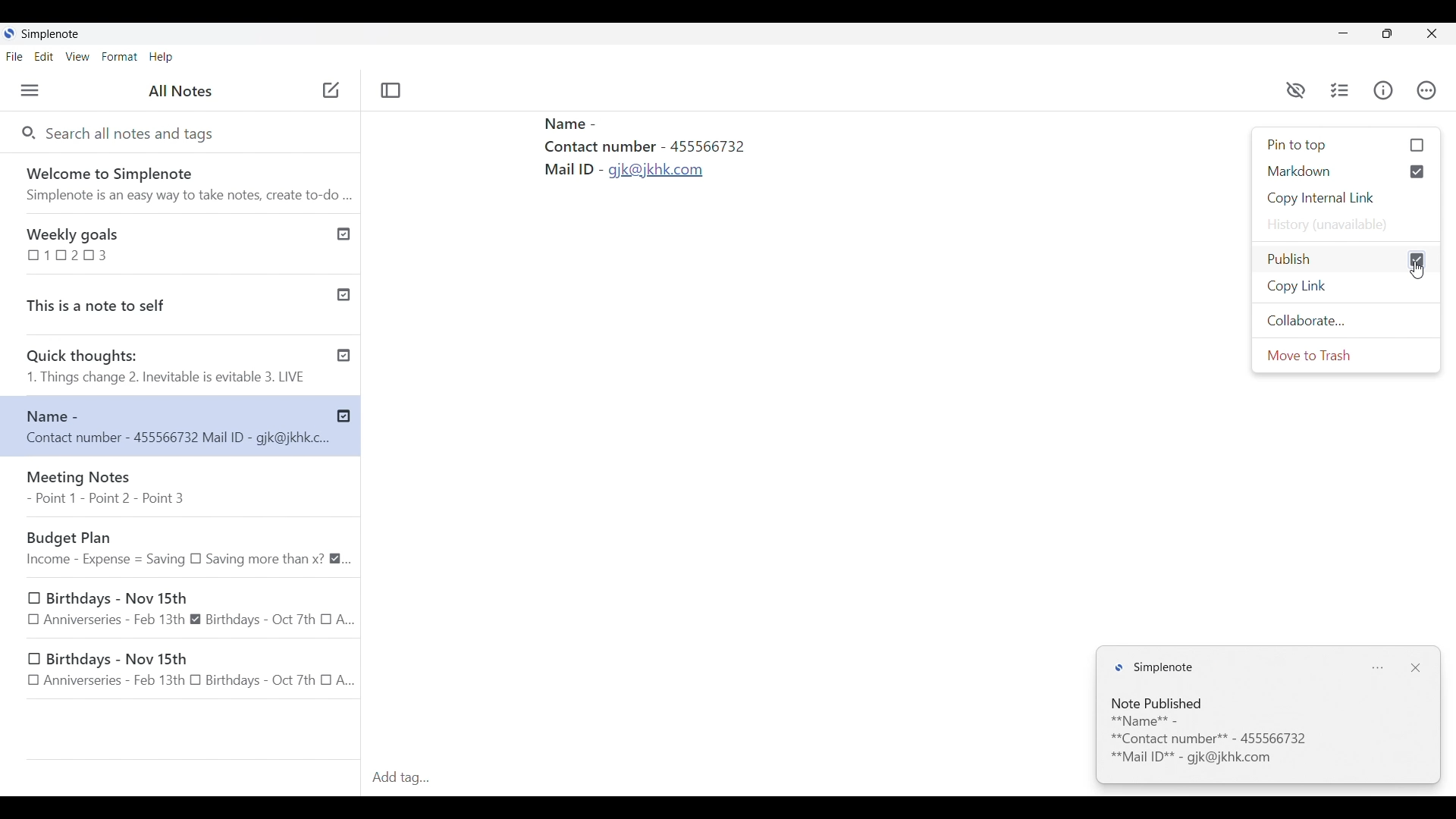 The image size is (1456, 819). Describe the element at coordinates (1347, 199) in the screenshot. I see `Copy internal link` at that location.